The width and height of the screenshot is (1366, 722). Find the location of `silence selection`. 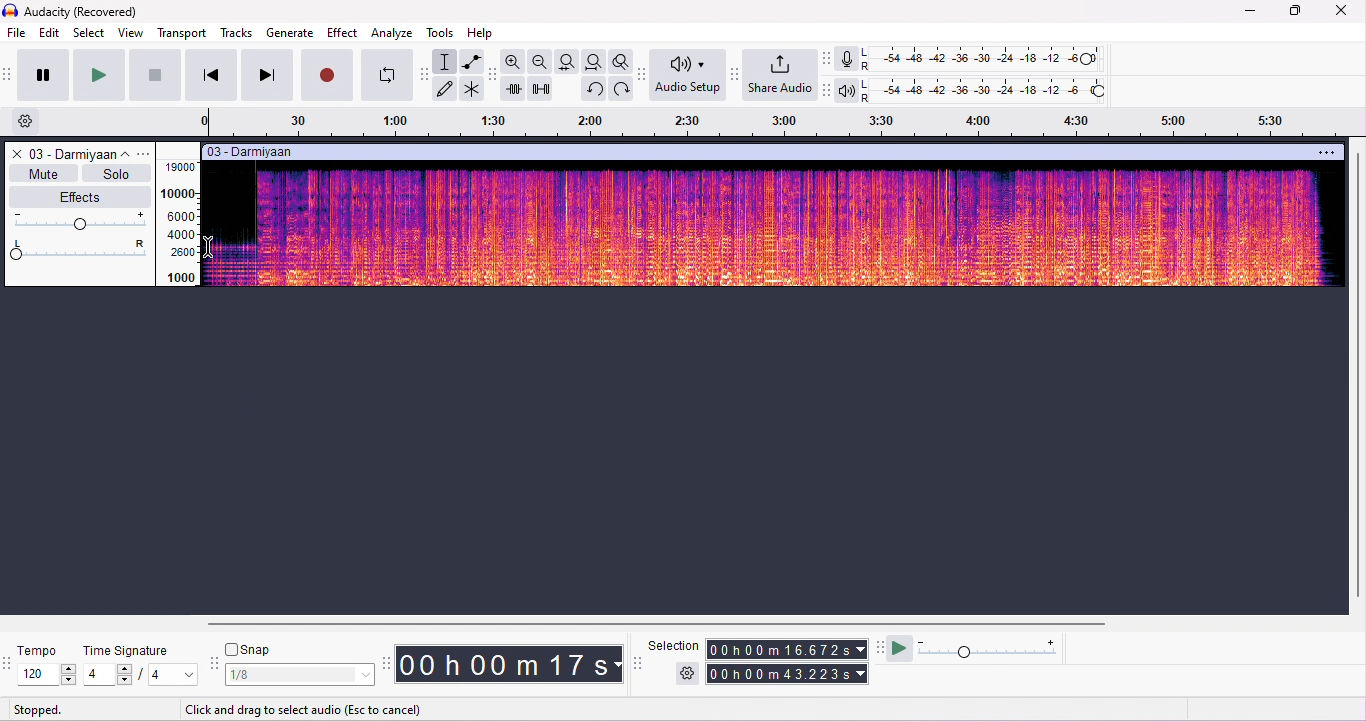

silence selection is located at coordinates (542, 88).